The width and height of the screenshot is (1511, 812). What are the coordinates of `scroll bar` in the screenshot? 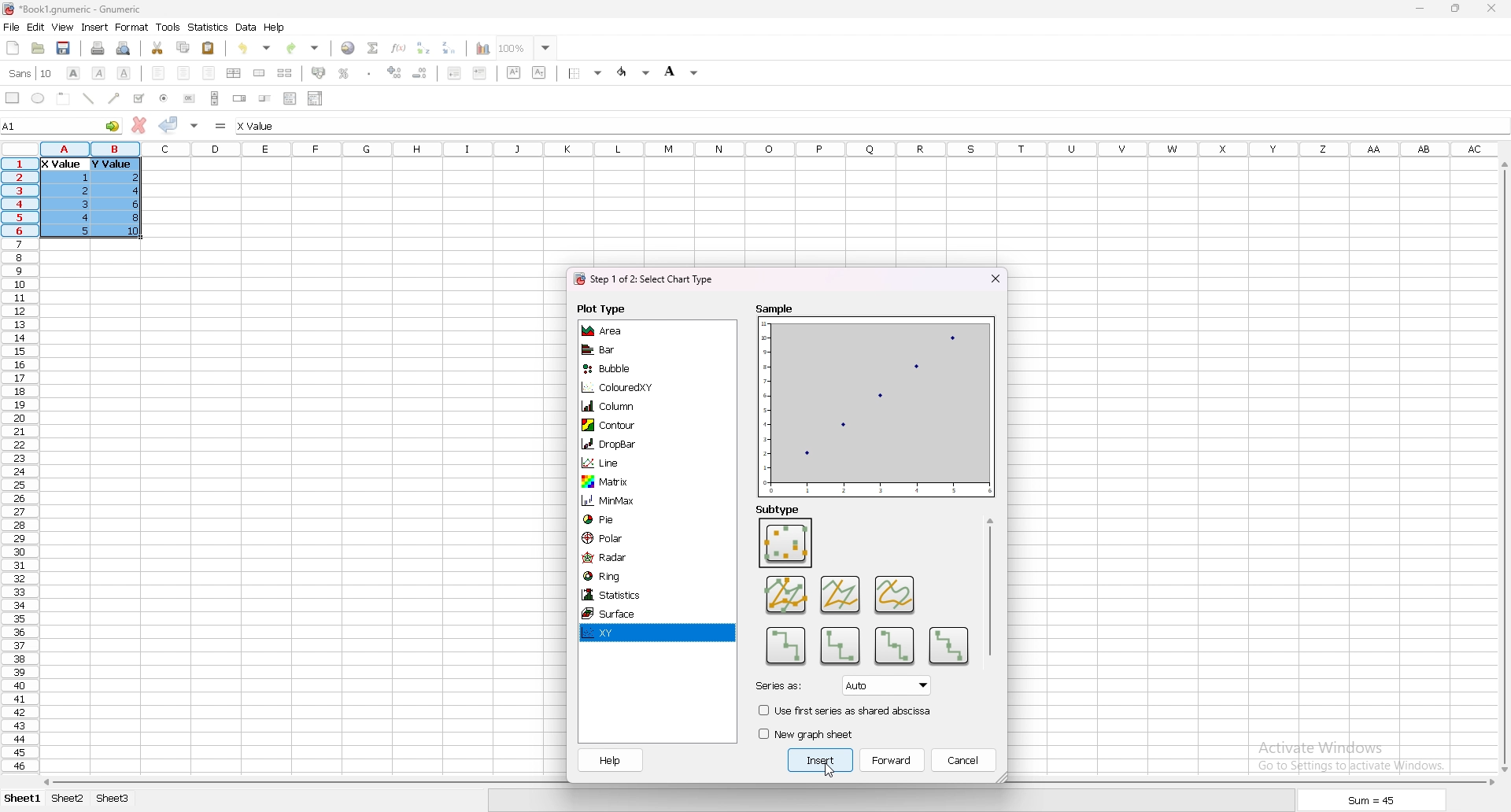 It's located at (1502, 467).